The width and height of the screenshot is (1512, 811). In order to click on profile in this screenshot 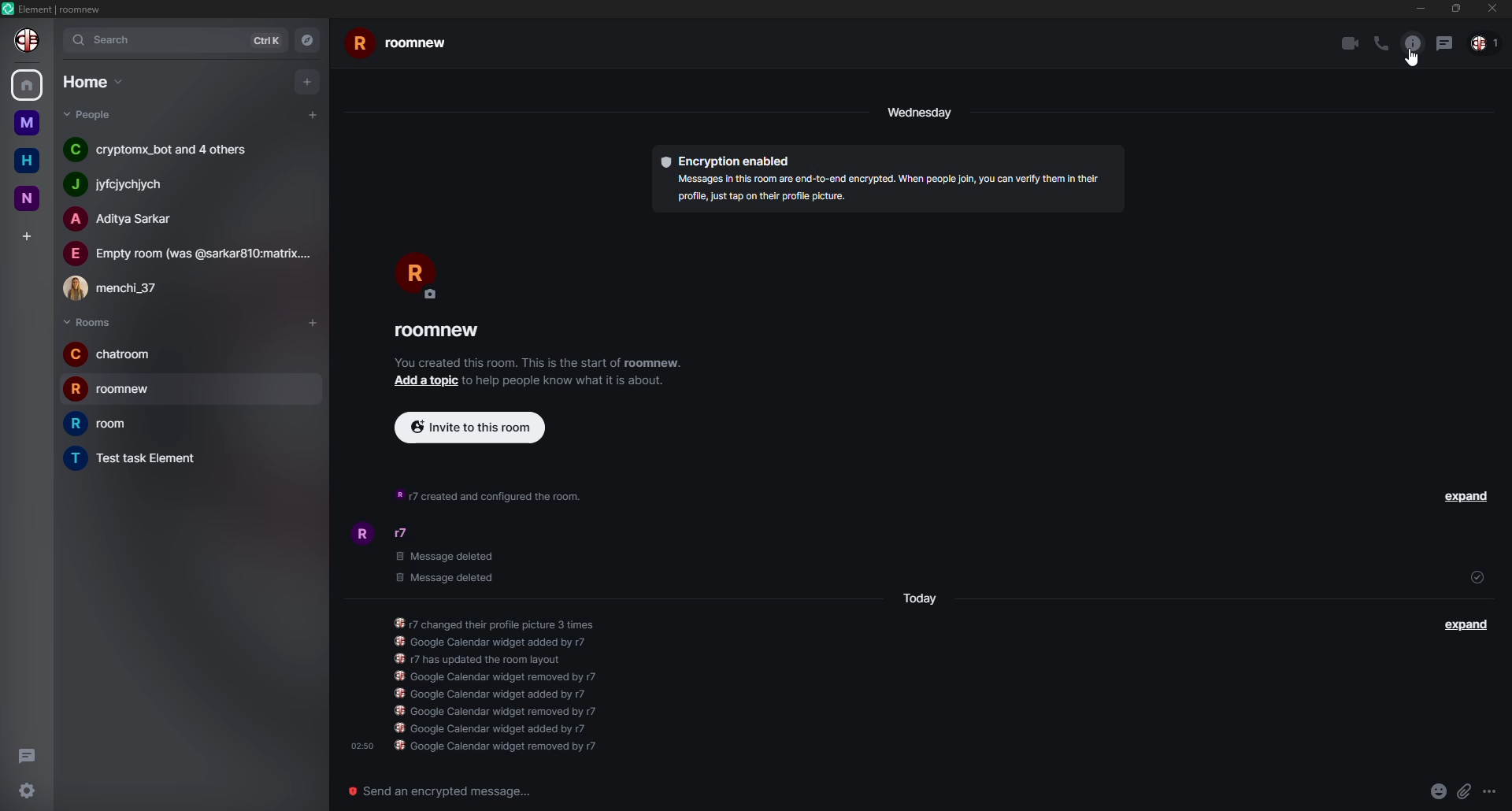, I will do `click(417, 274)`.